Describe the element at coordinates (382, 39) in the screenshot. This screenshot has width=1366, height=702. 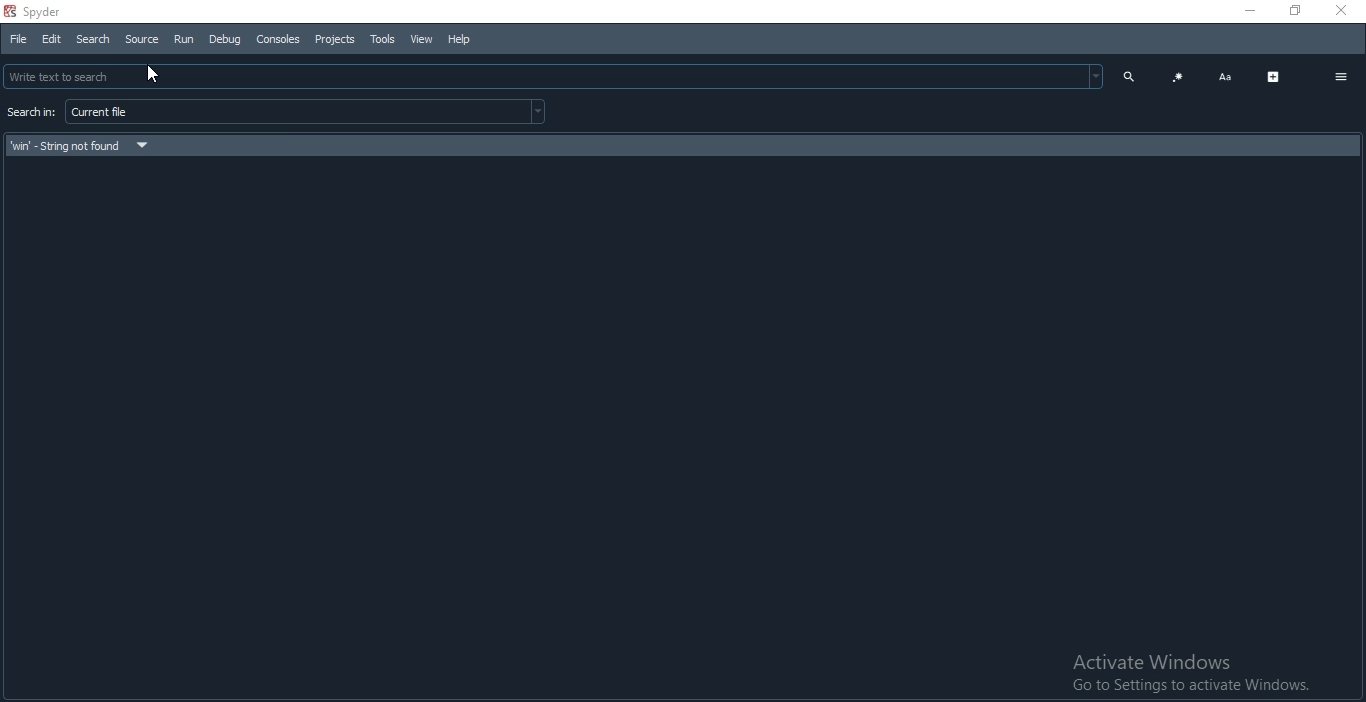
I see `tools` at that location.